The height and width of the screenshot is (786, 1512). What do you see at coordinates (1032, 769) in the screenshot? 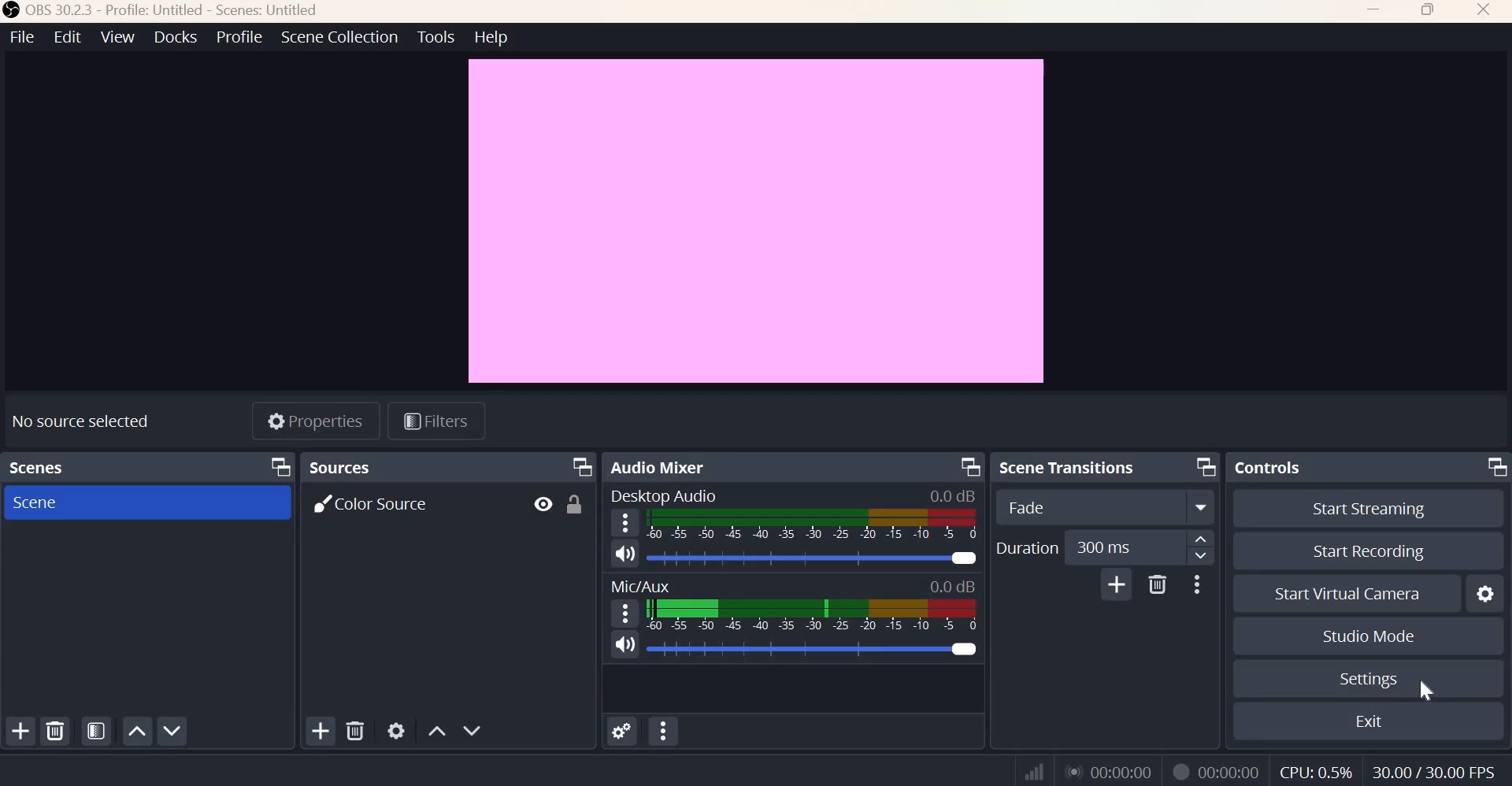
I see `Connection Status Indicator` at bounding box center [1032, 769].